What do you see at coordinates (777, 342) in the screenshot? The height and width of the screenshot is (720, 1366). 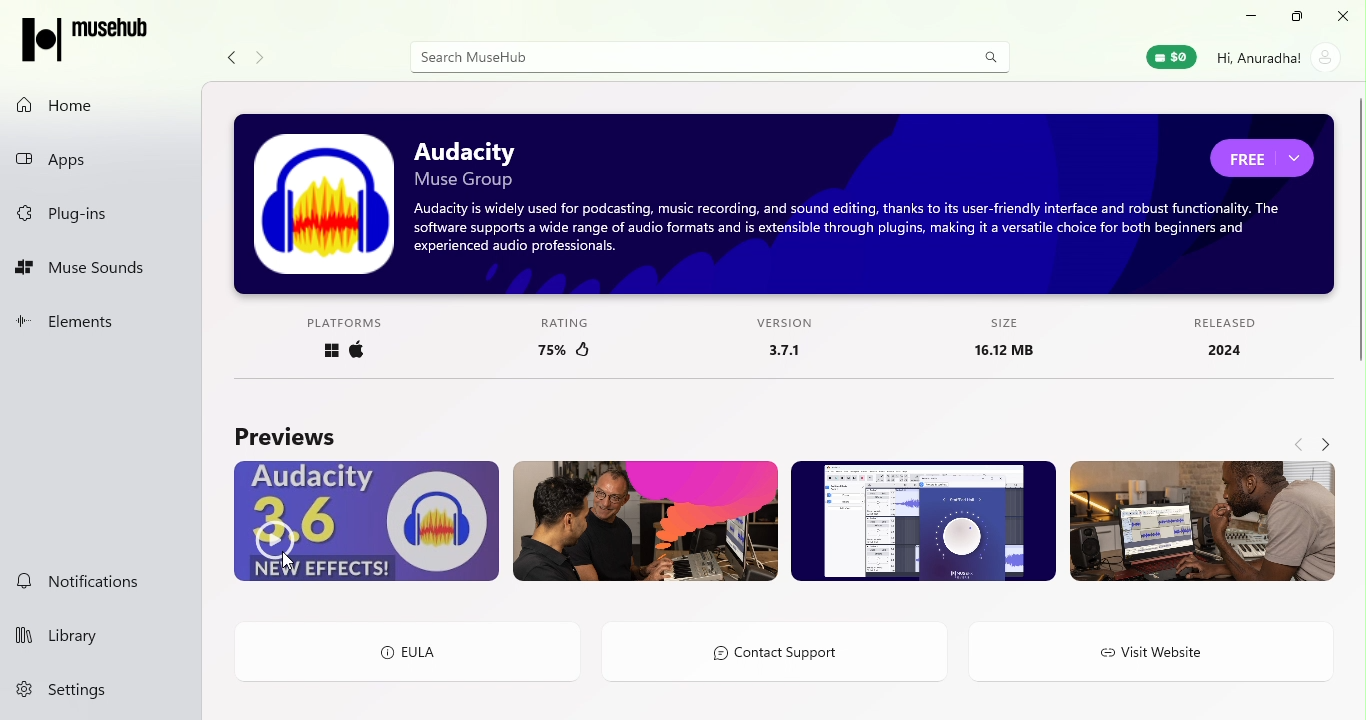 I see `Versions` at bounding box center [777, 342].